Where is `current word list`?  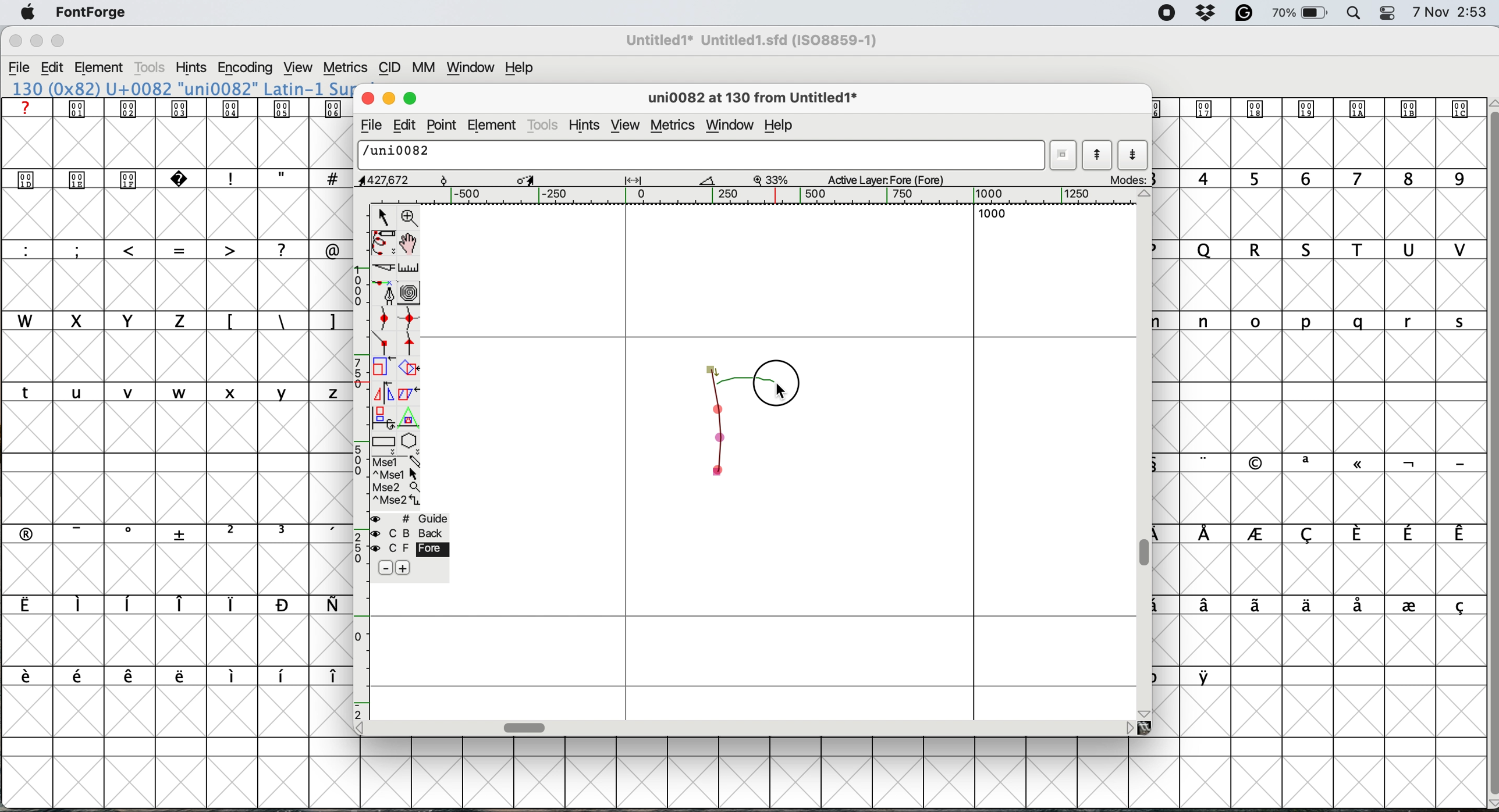
current word list is located at coordinates (1065, 155).